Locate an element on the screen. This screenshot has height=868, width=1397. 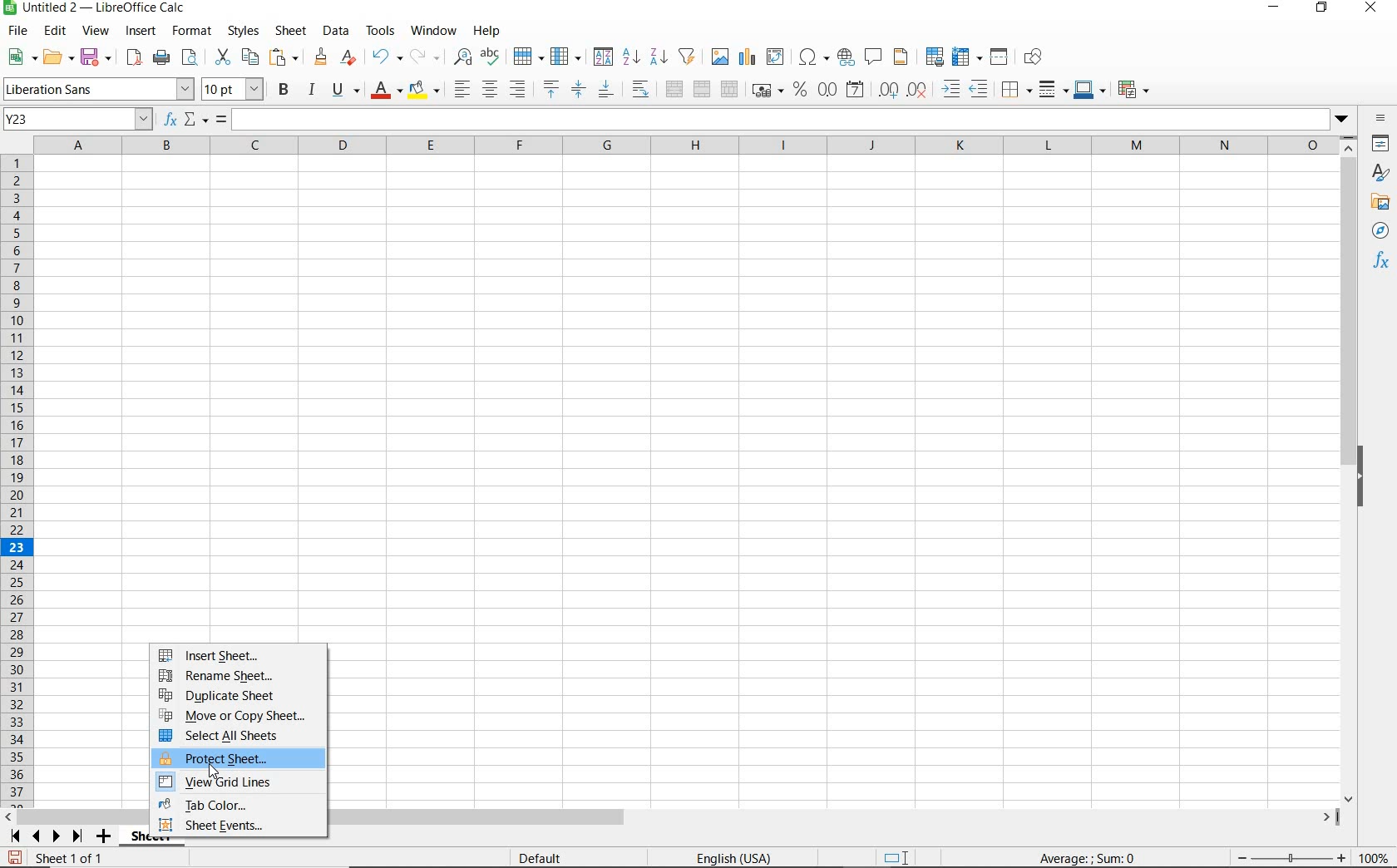
BACKGROUND COLOR is located at coordinates (424, 89).